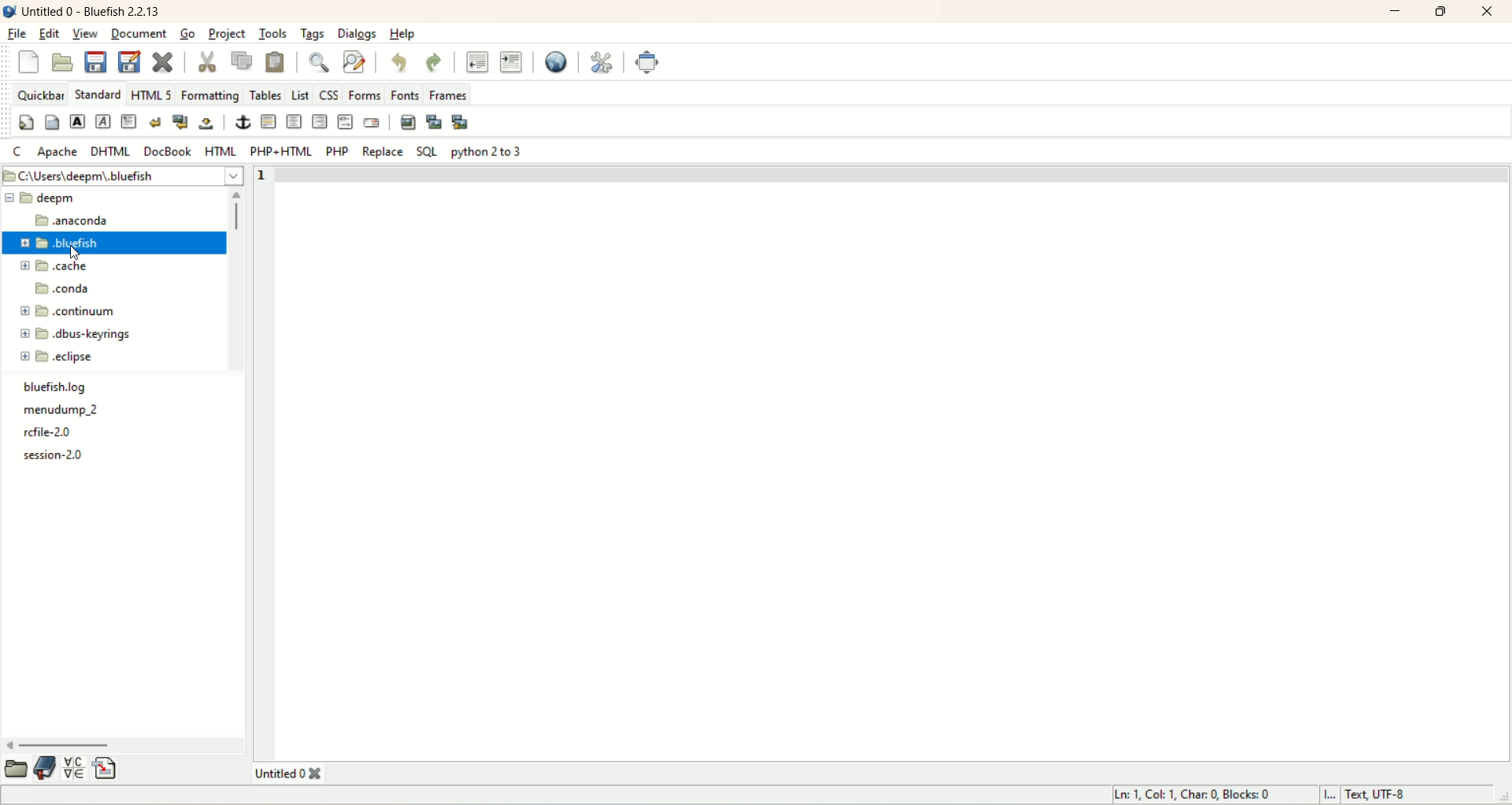 This screenshot has height=805, width=1512. I want to click on eclipse, so click(58, 356).